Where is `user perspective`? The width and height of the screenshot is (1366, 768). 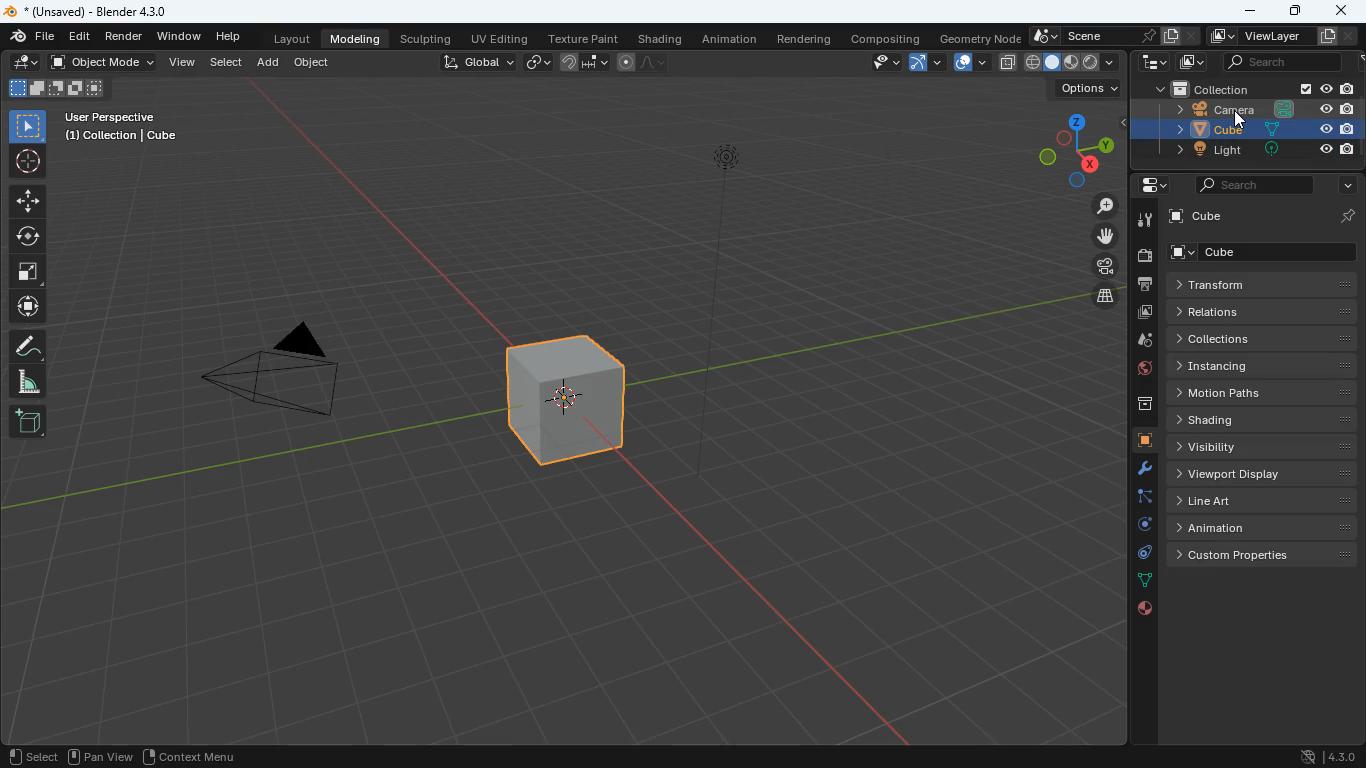 user perspective is located at coordinates (125, 130).